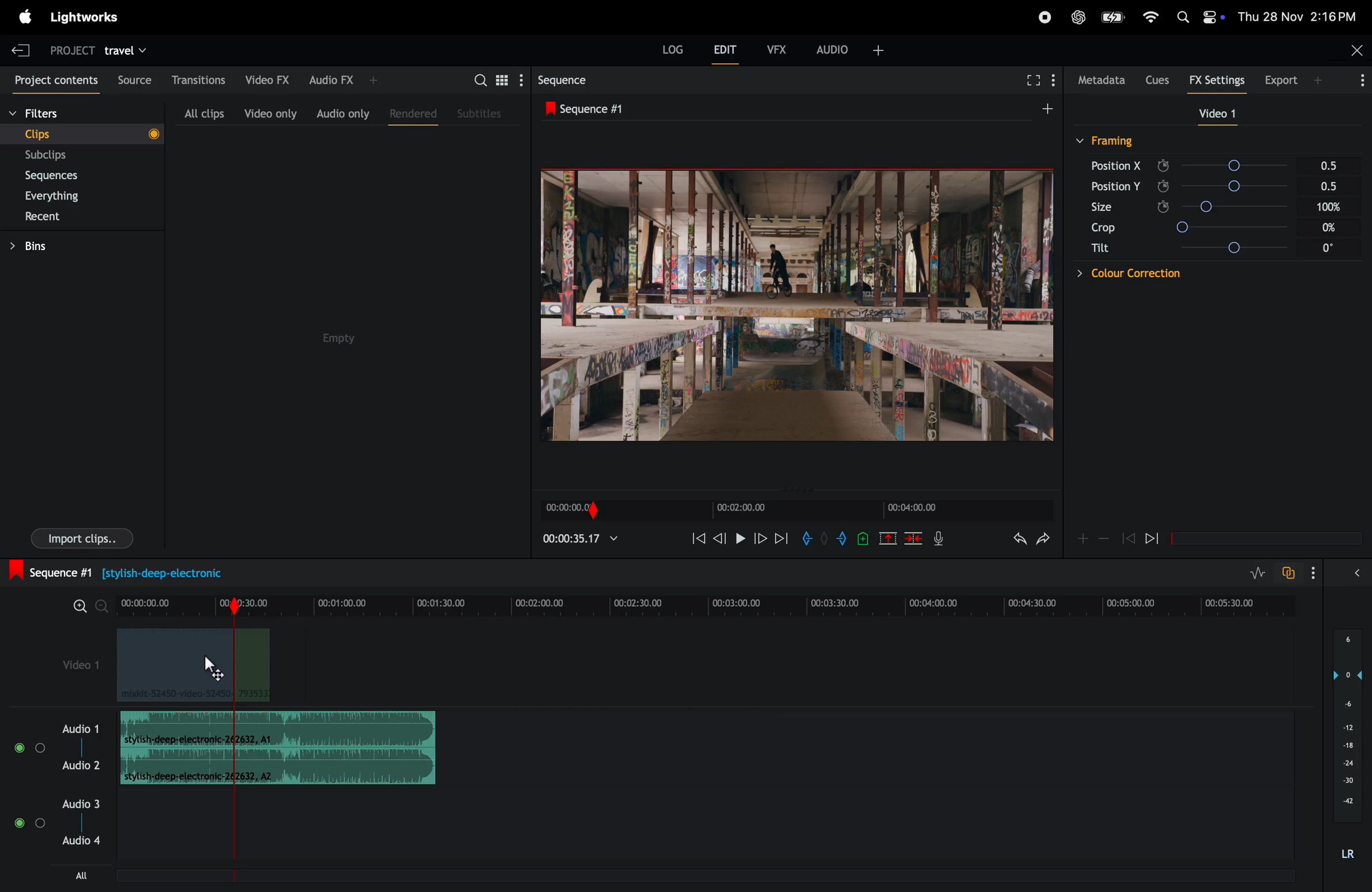 Image resolution: width=1372 pixels, height=892 pixels. Describe the element at coordinates (44, 218) in the screenshot. I see `recent` at that location.